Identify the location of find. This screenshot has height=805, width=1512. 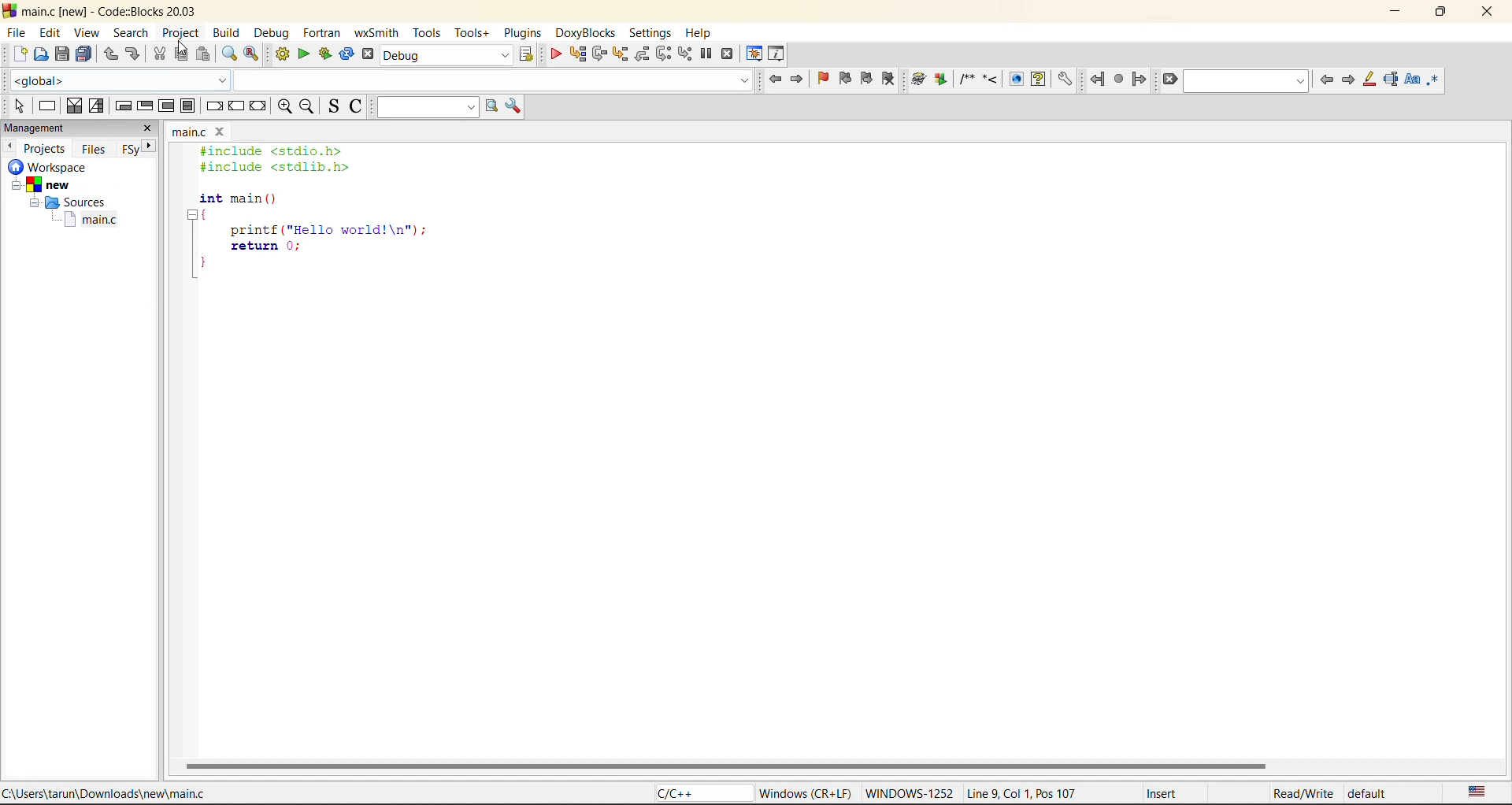
(230, 54).